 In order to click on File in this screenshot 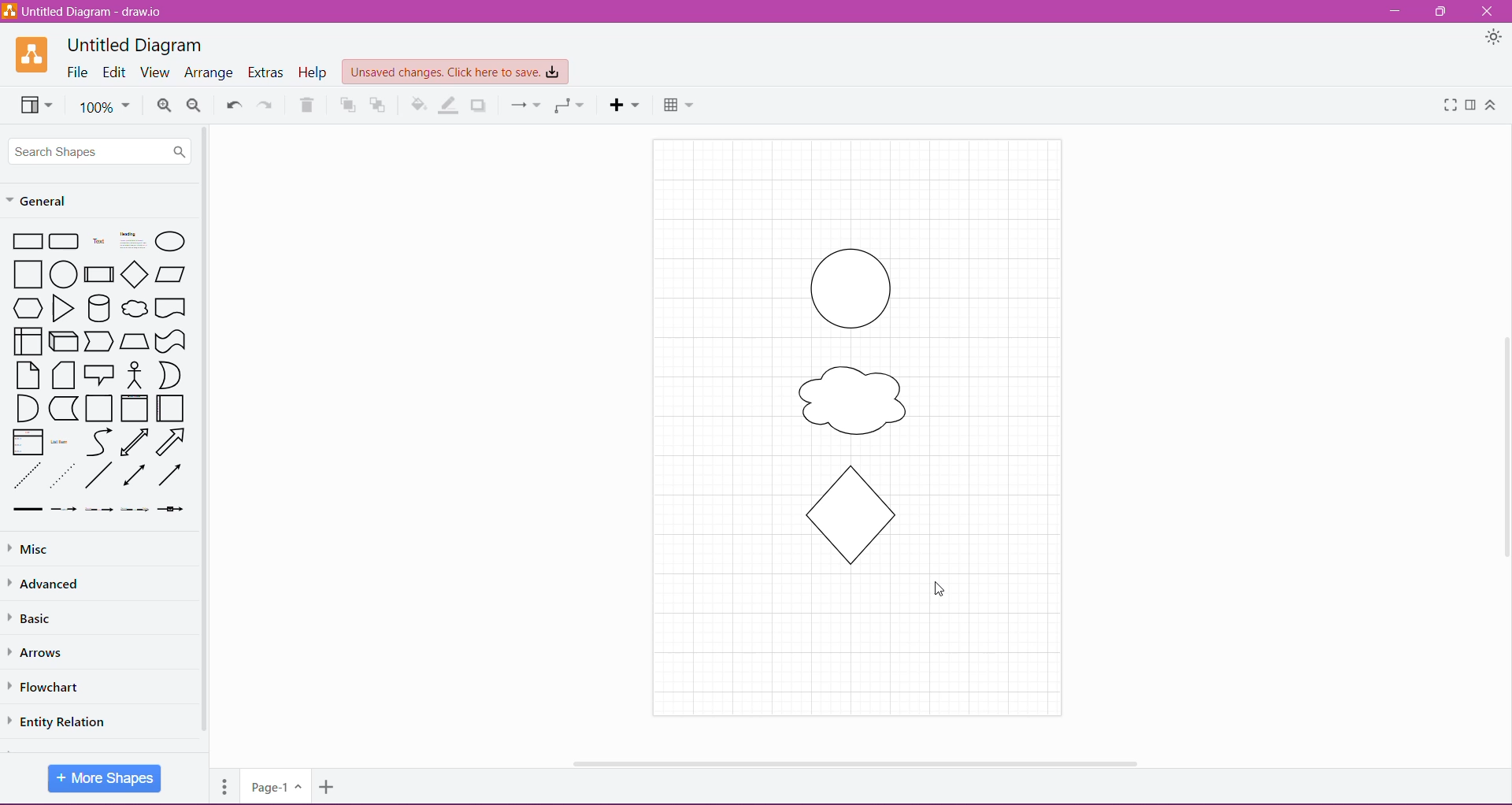, I will do `click(78, 72)`.